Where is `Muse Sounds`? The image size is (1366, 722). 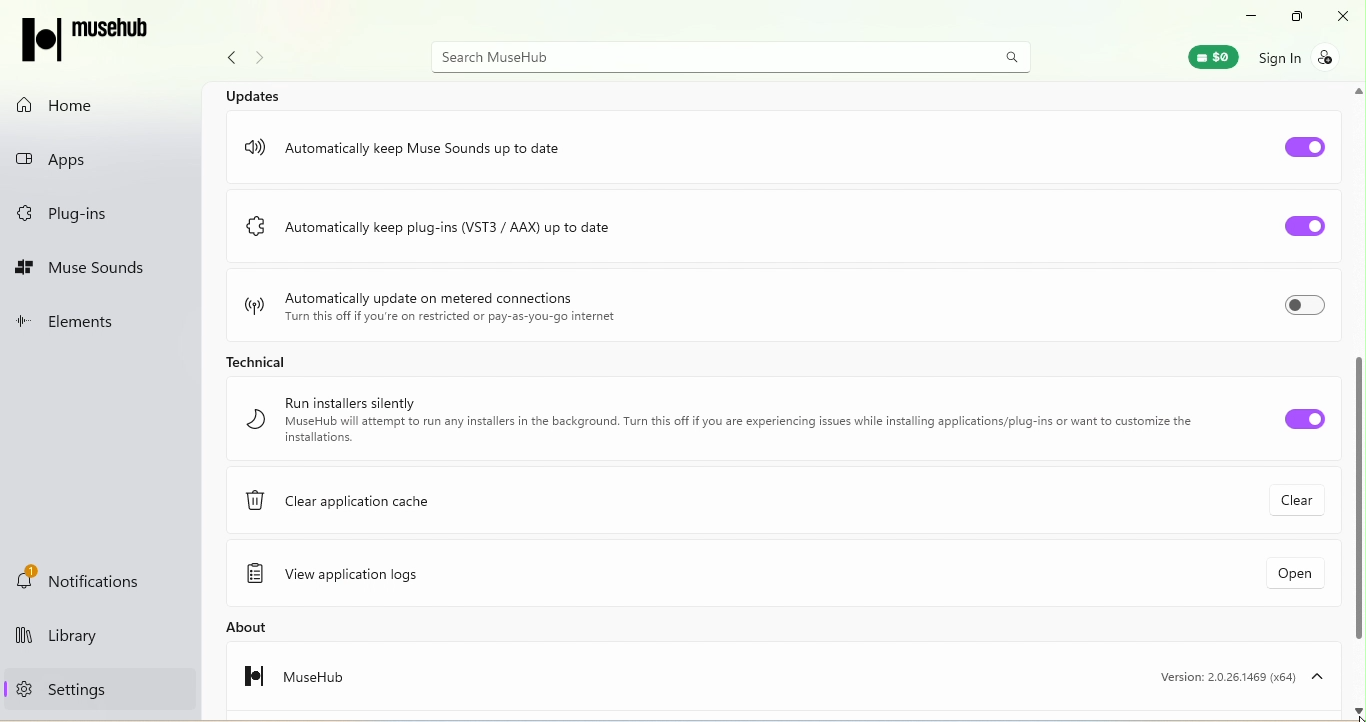 Muse Sounds is located at coordinates (83, 269).